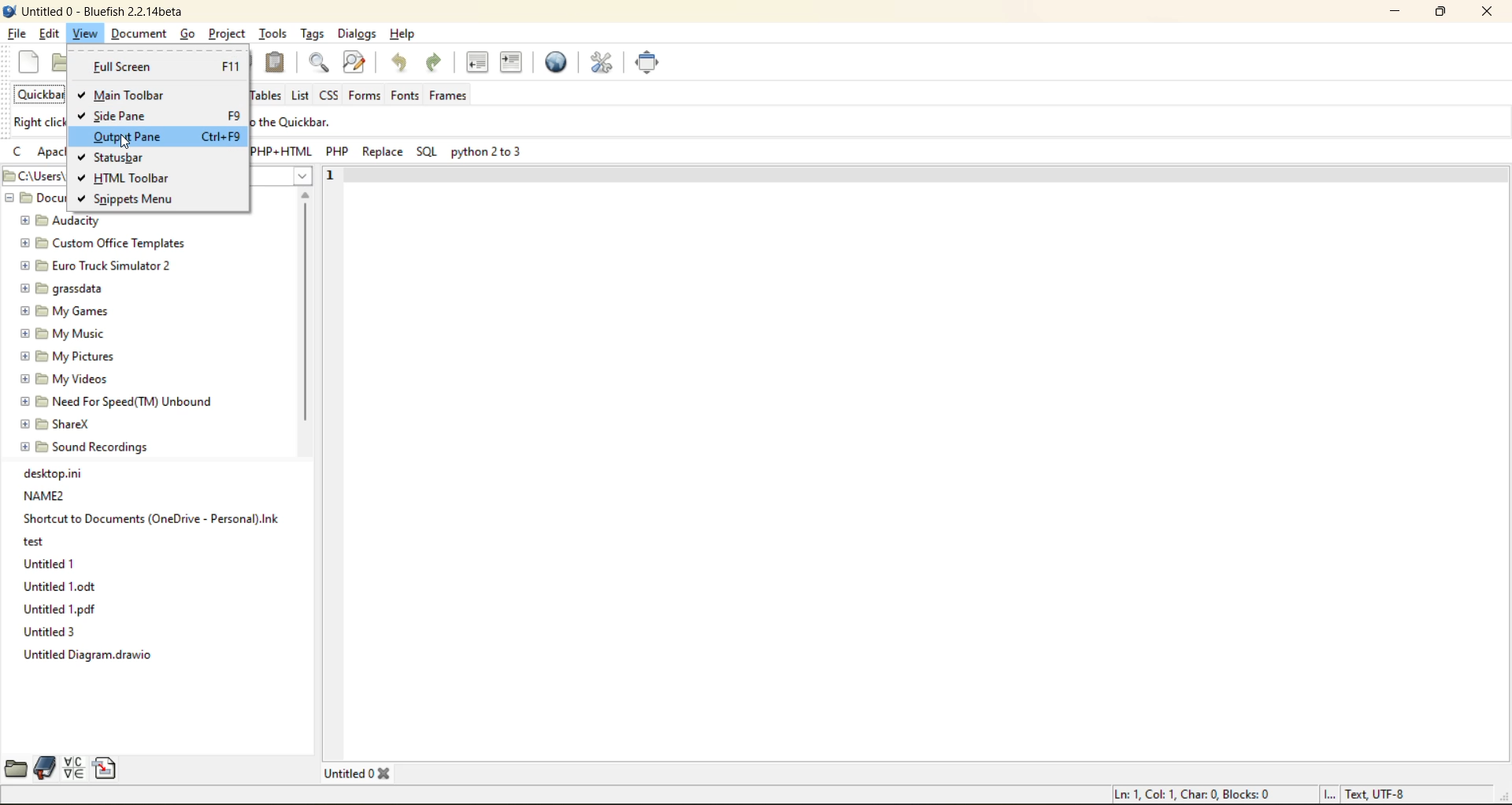 The width and height of the screenshot is (1512, 805). Describe the element at coordinates (127, 143) in the screenshot. I see `cursor` at that location.